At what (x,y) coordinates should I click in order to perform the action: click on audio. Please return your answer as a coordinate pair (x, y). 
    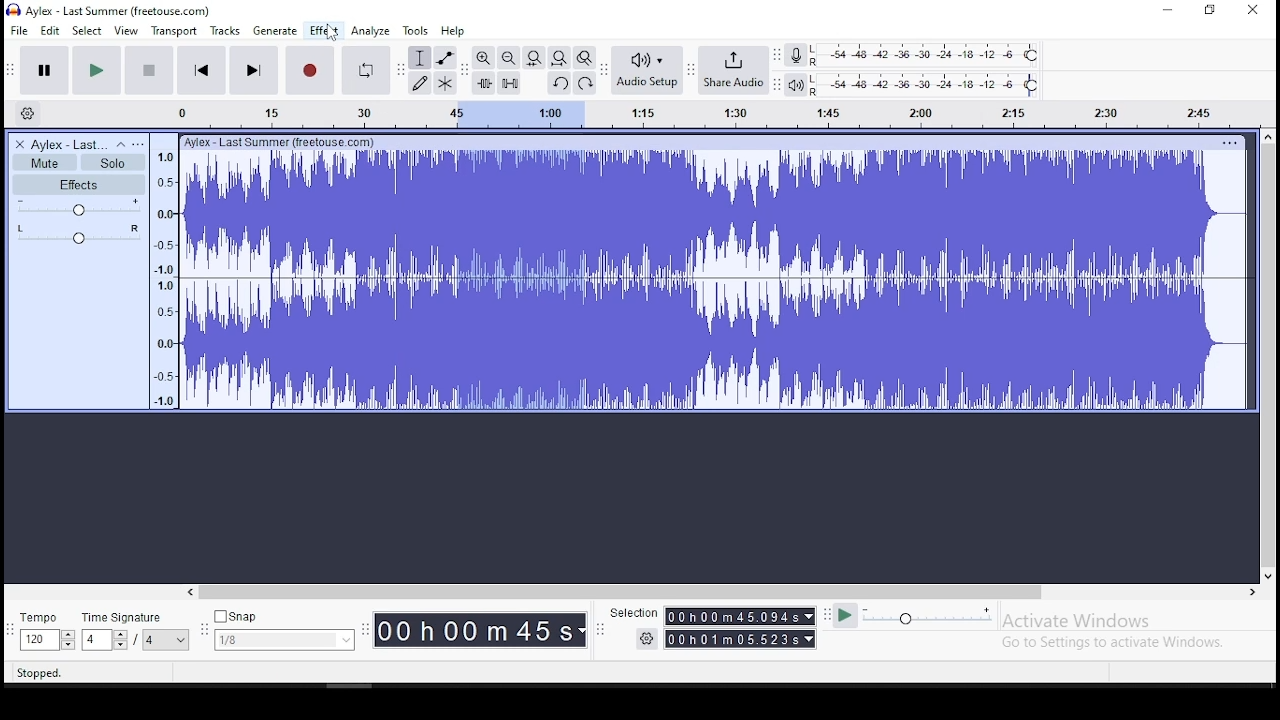
    Looking at the image, I should click on (70, 145).